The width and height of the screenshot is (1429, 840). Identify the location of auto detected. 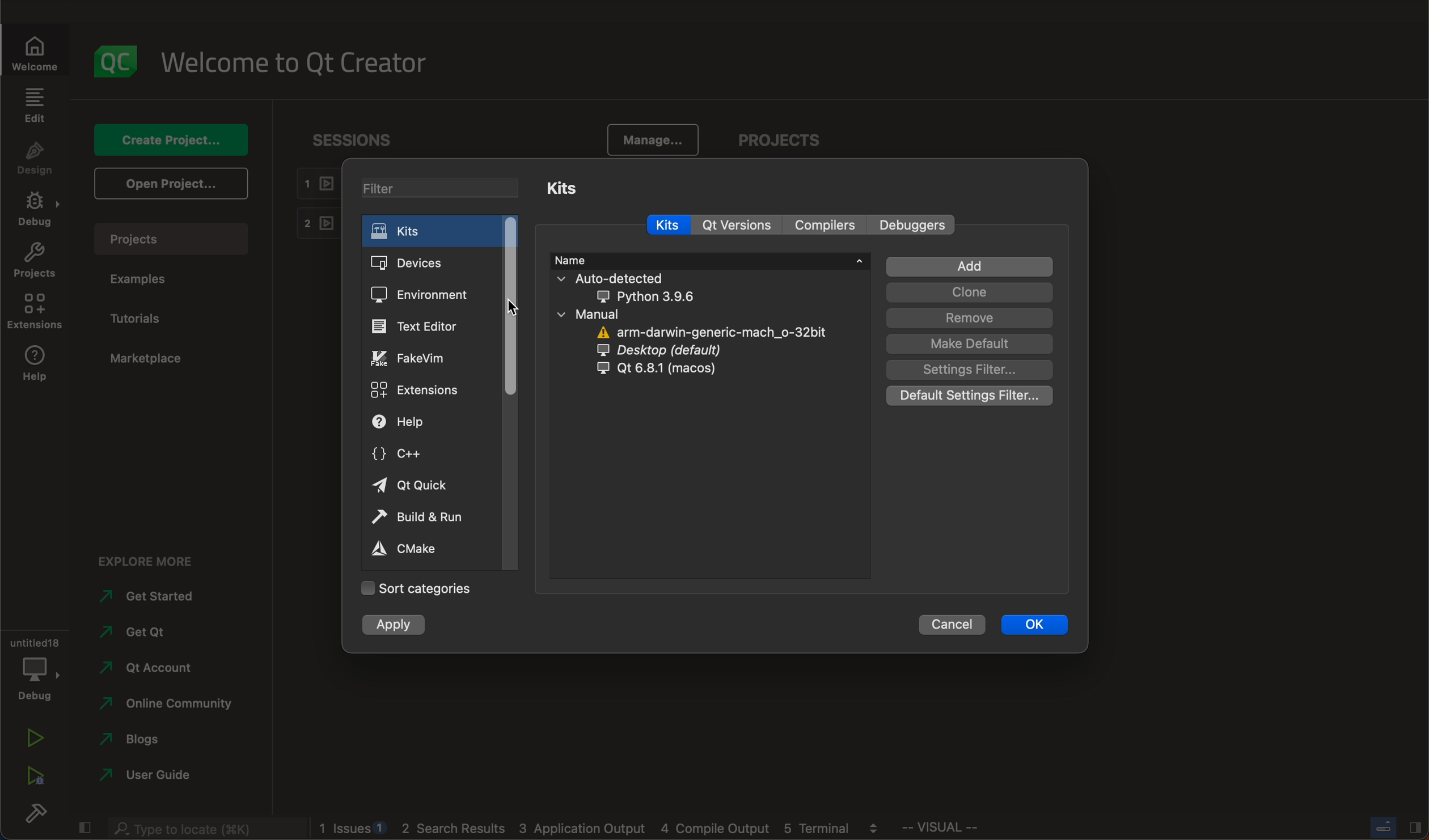
(637, 287).